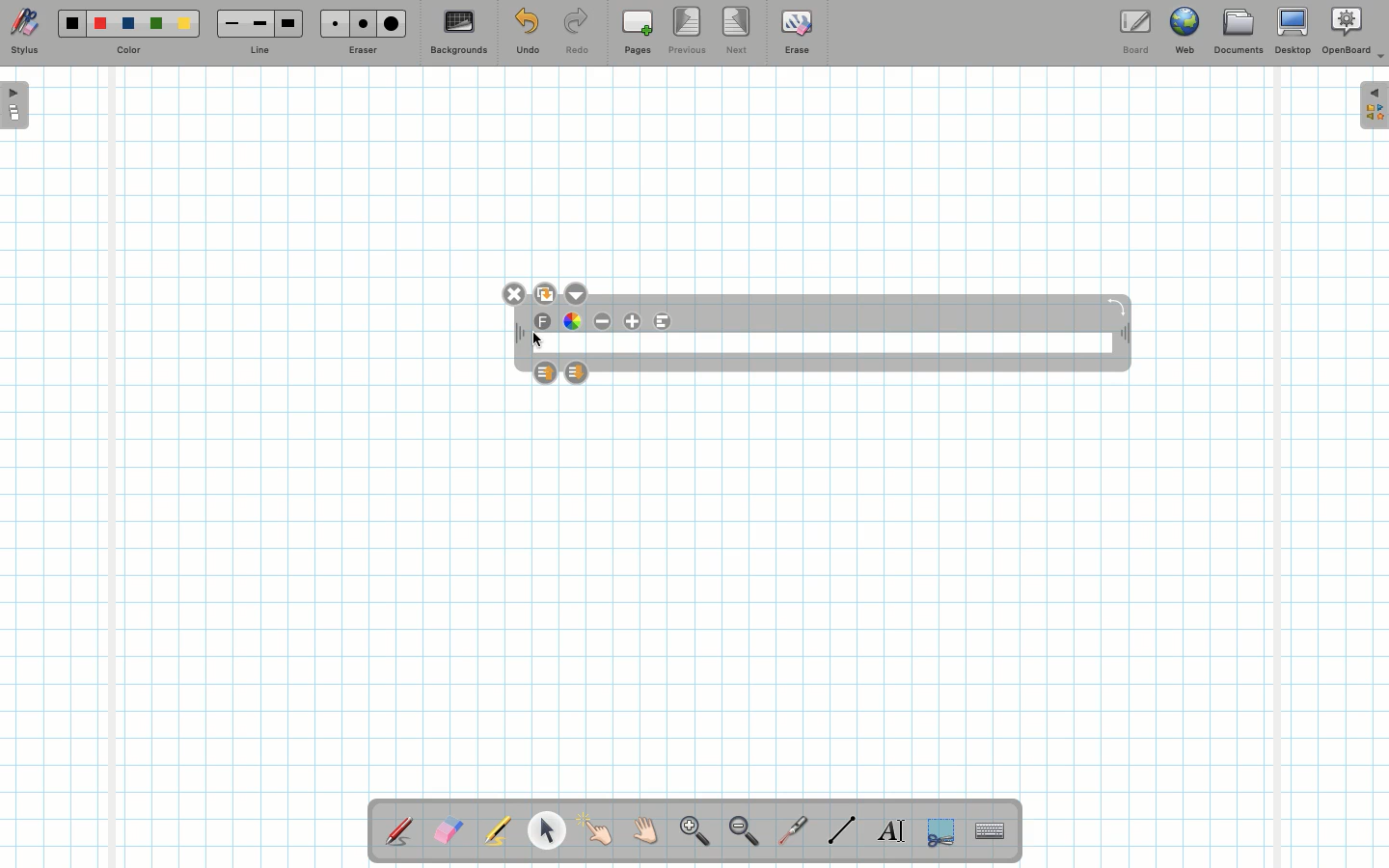 The height and width of the screenshot is (868, 1389). What do you see at coordinates (939, 829) in the screenshot?
I see `Selection` at bounding box center [939, 829].